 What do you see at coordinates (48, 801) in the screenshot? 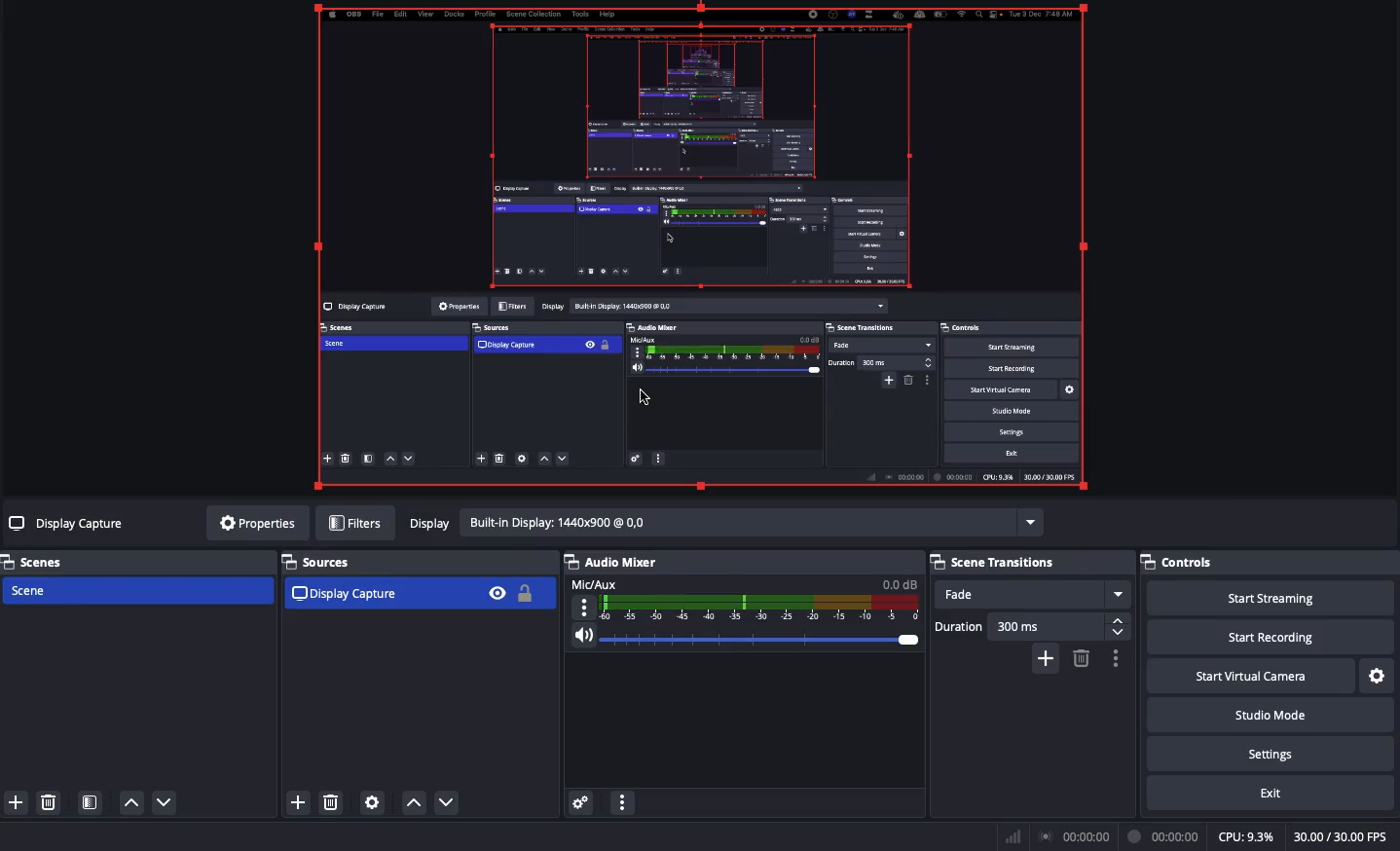
I see `Delete` at bounding box center [48, 801].